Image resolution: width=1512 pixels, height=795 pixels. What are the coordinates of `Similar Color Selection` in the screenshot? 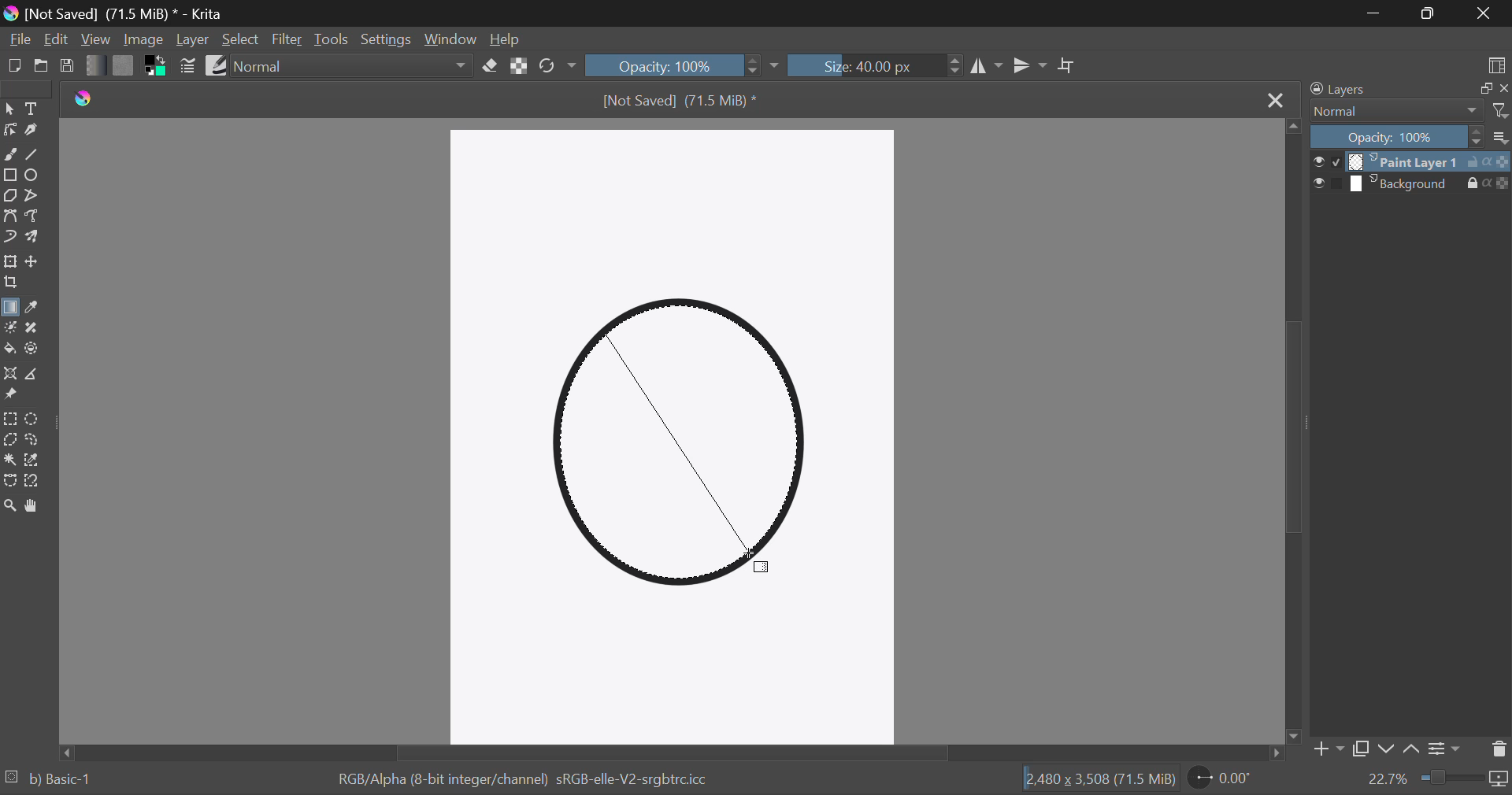 It's located at (39, 459).